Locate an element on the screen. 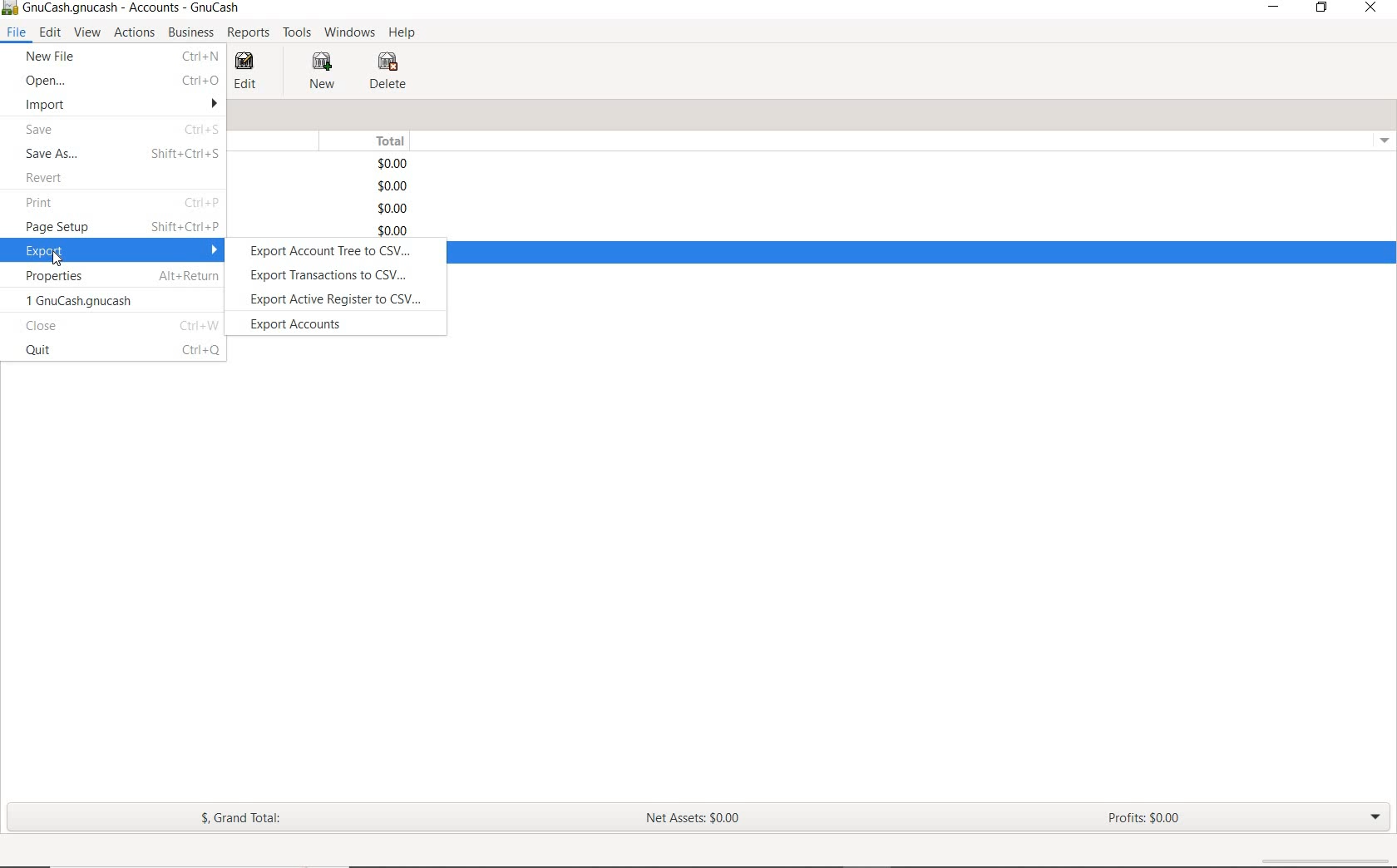 The height and width of the screenshot is (868, 1397). REVERT is located at coordinates (40, 178).